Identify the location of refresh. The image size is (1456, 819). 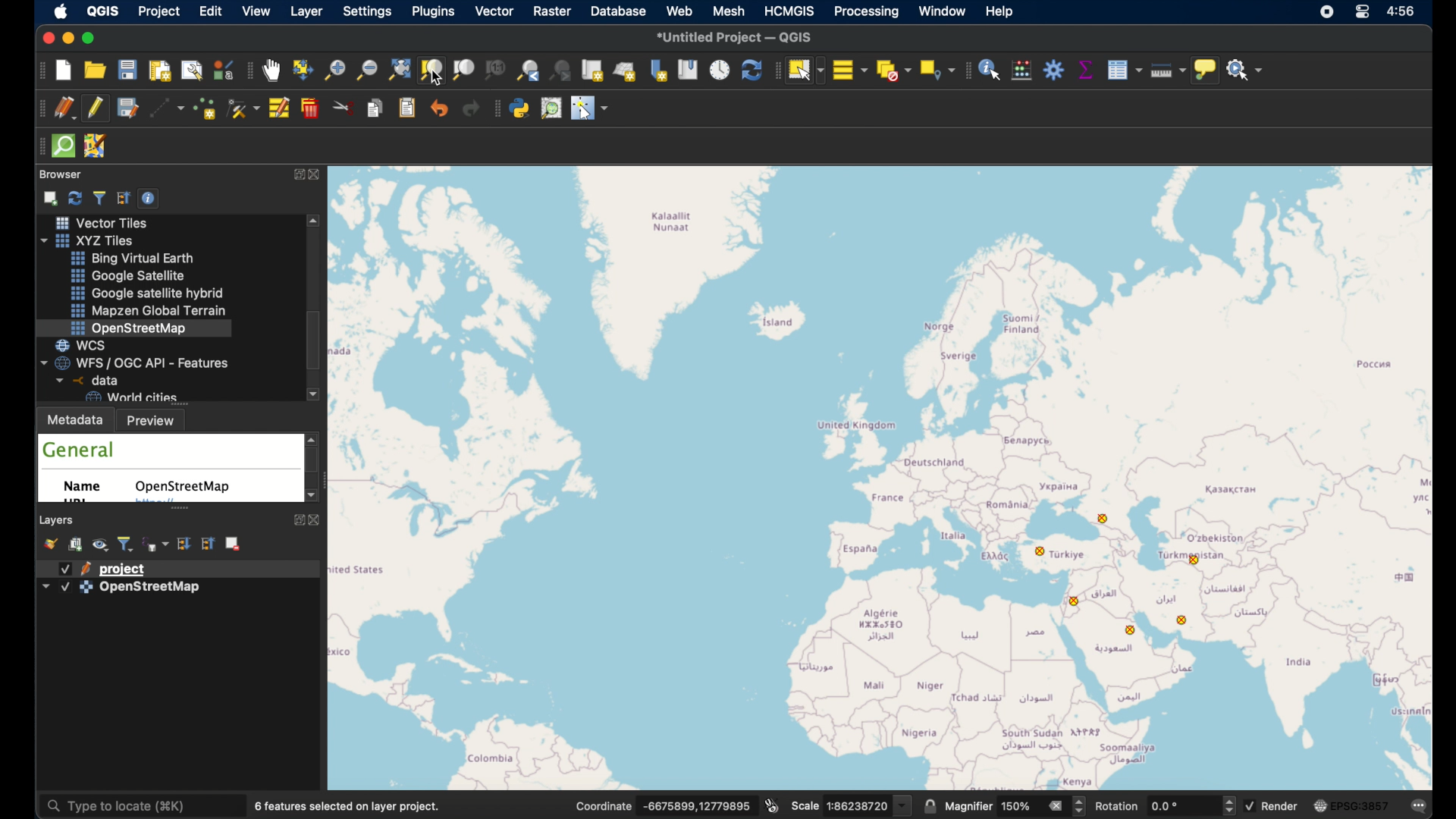
(750, 70).